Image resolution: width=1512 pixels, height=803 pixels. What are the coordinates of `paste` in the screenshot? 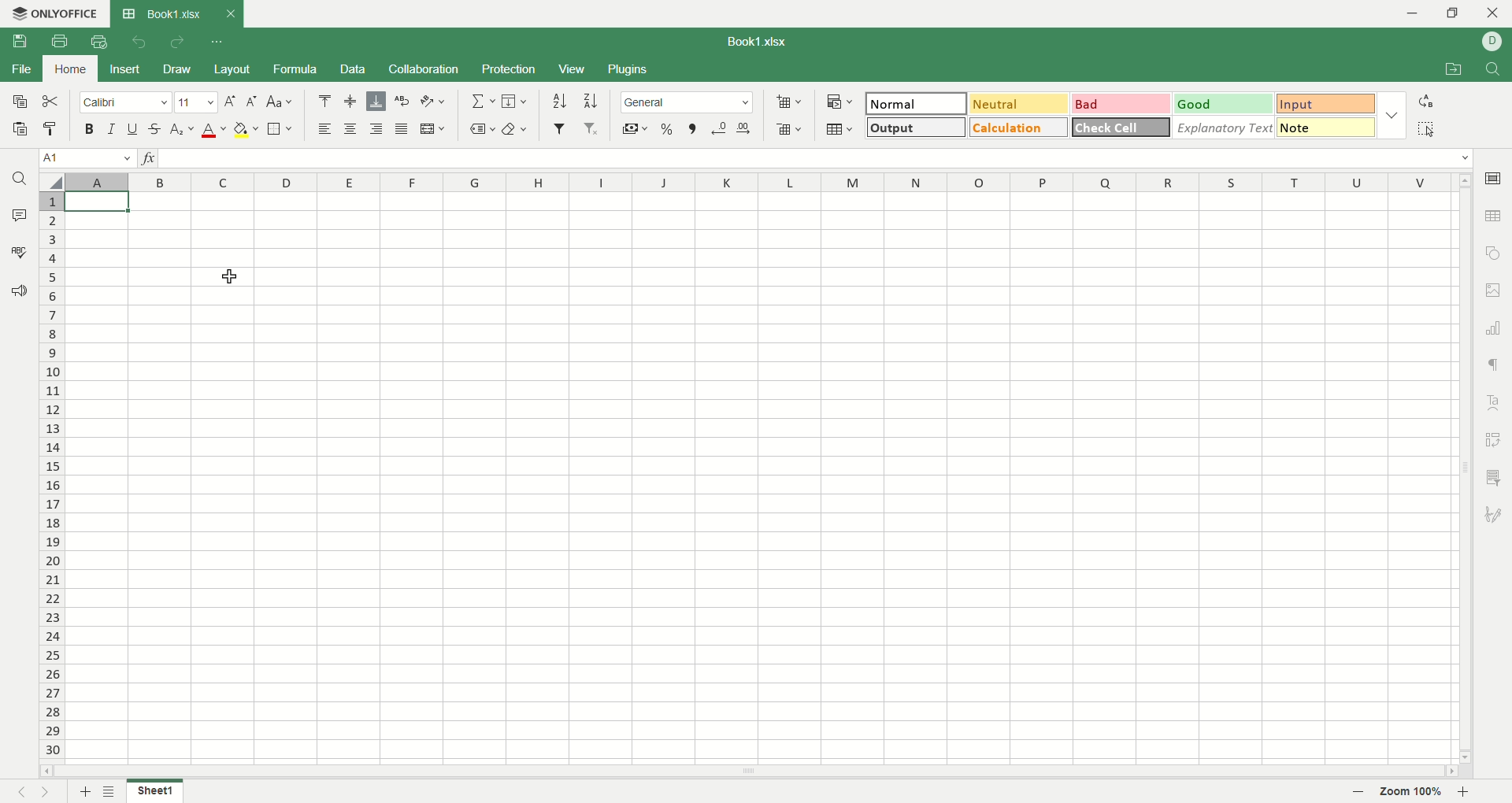 It's located at (20, 131).